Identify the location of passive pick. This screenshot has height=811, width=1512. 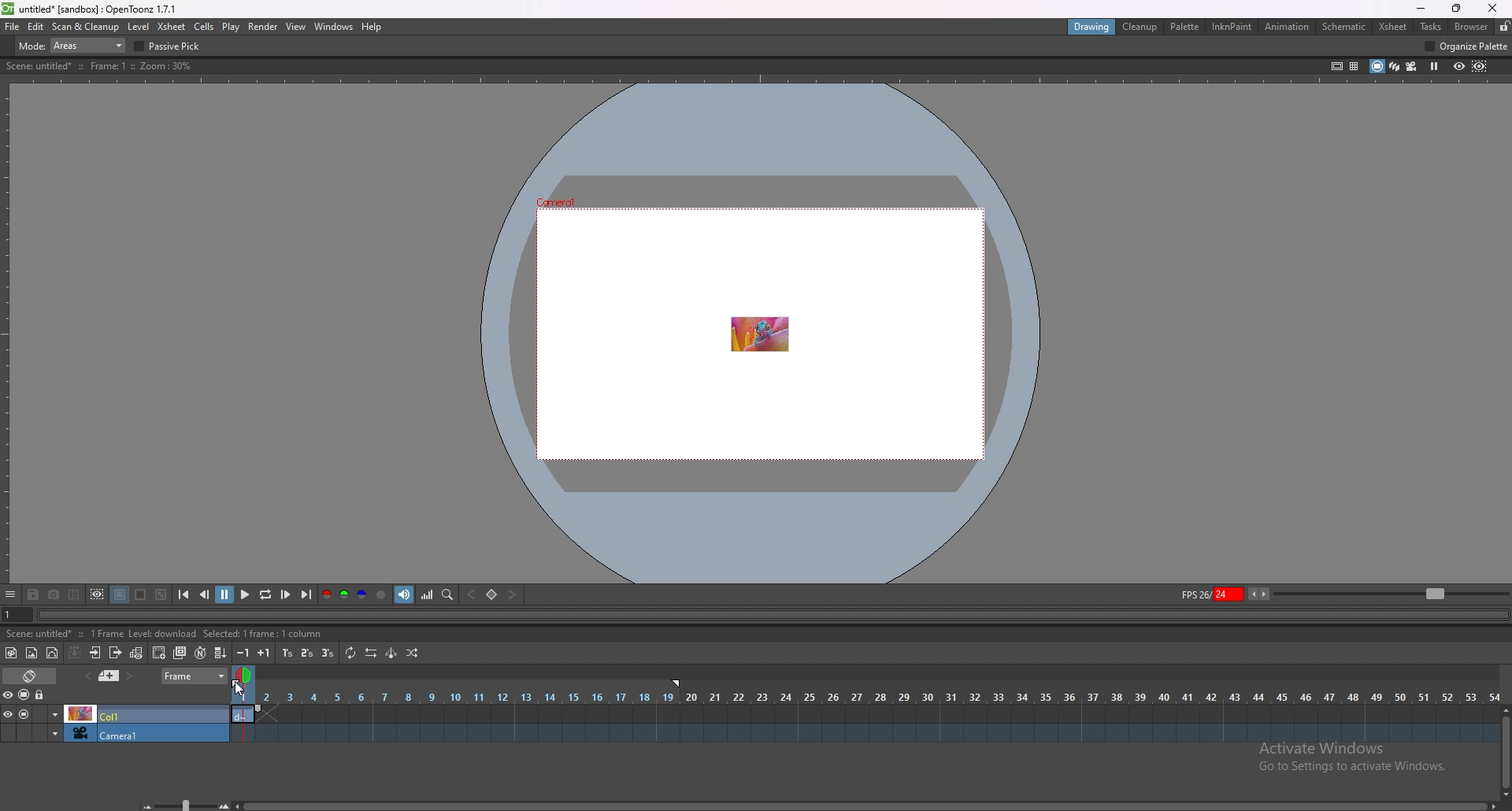
(170, 46).